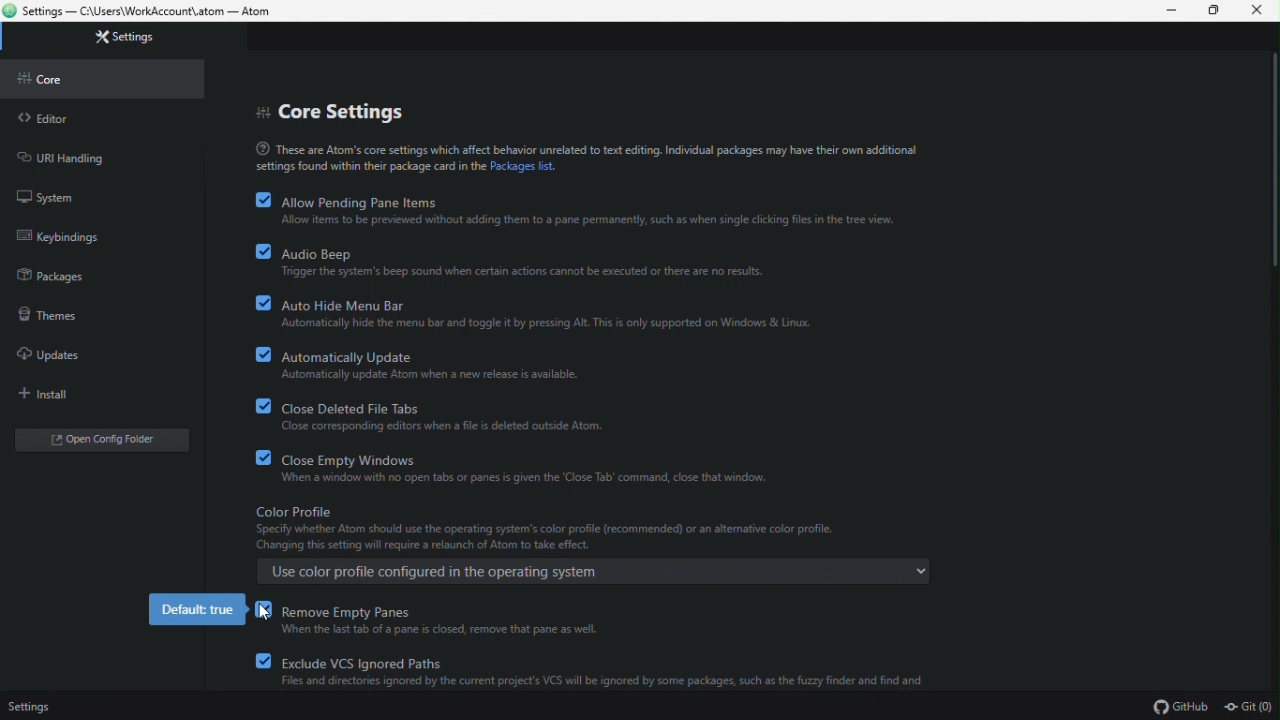 This screenshot has width=1280, height=720. What do you see at coordinates (55, 355) in the screenshot?
I see `updates` at bounding box center [55, 355].